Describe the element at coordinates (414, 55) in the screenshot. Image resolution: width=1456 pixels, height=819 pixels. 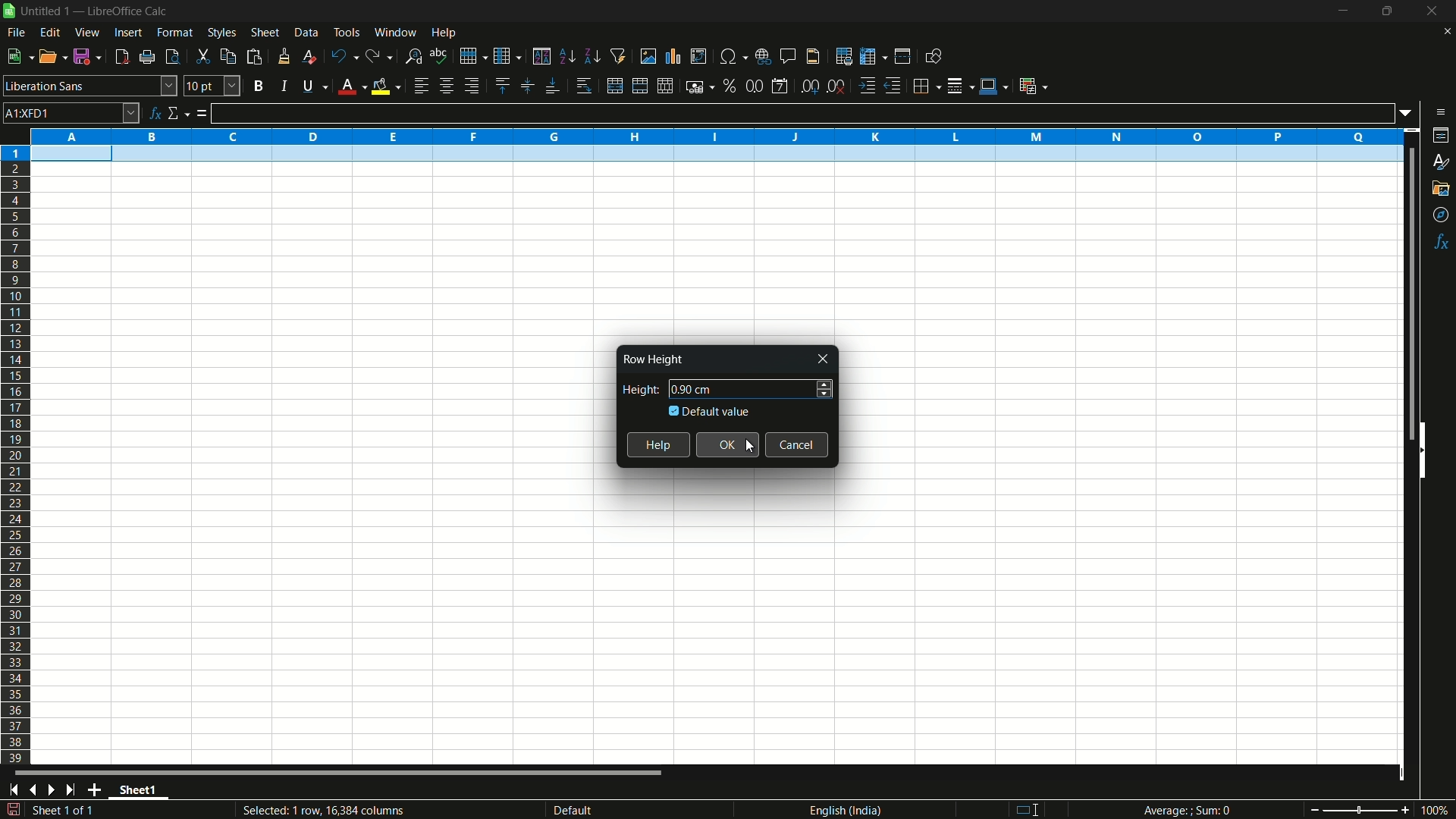
I see `find and replace` at that location.